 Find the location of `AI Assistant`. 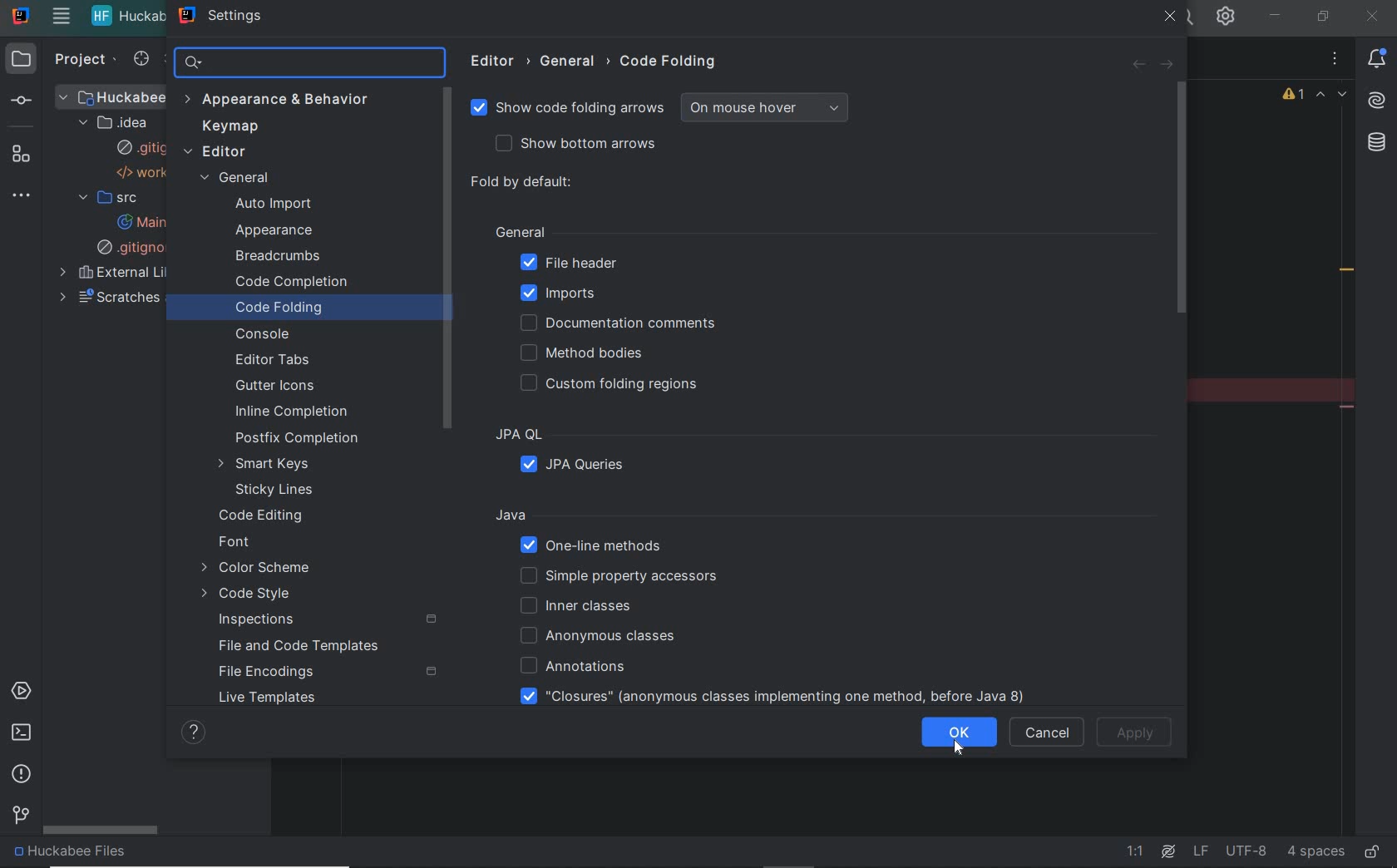

AI Assistant is located at coordinates (1168, 851).